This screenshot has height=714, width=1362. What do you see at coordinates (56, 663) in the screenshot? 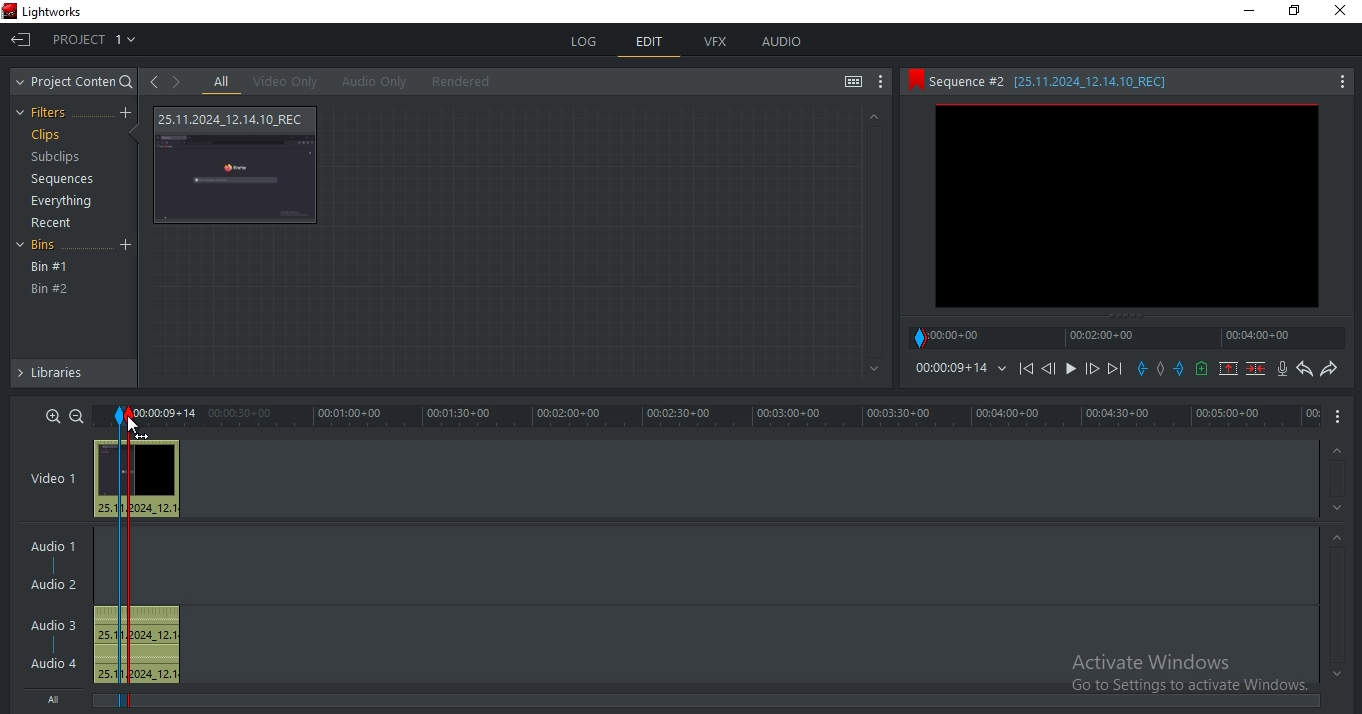
I see `Audio` at bounding box center [56, 663].